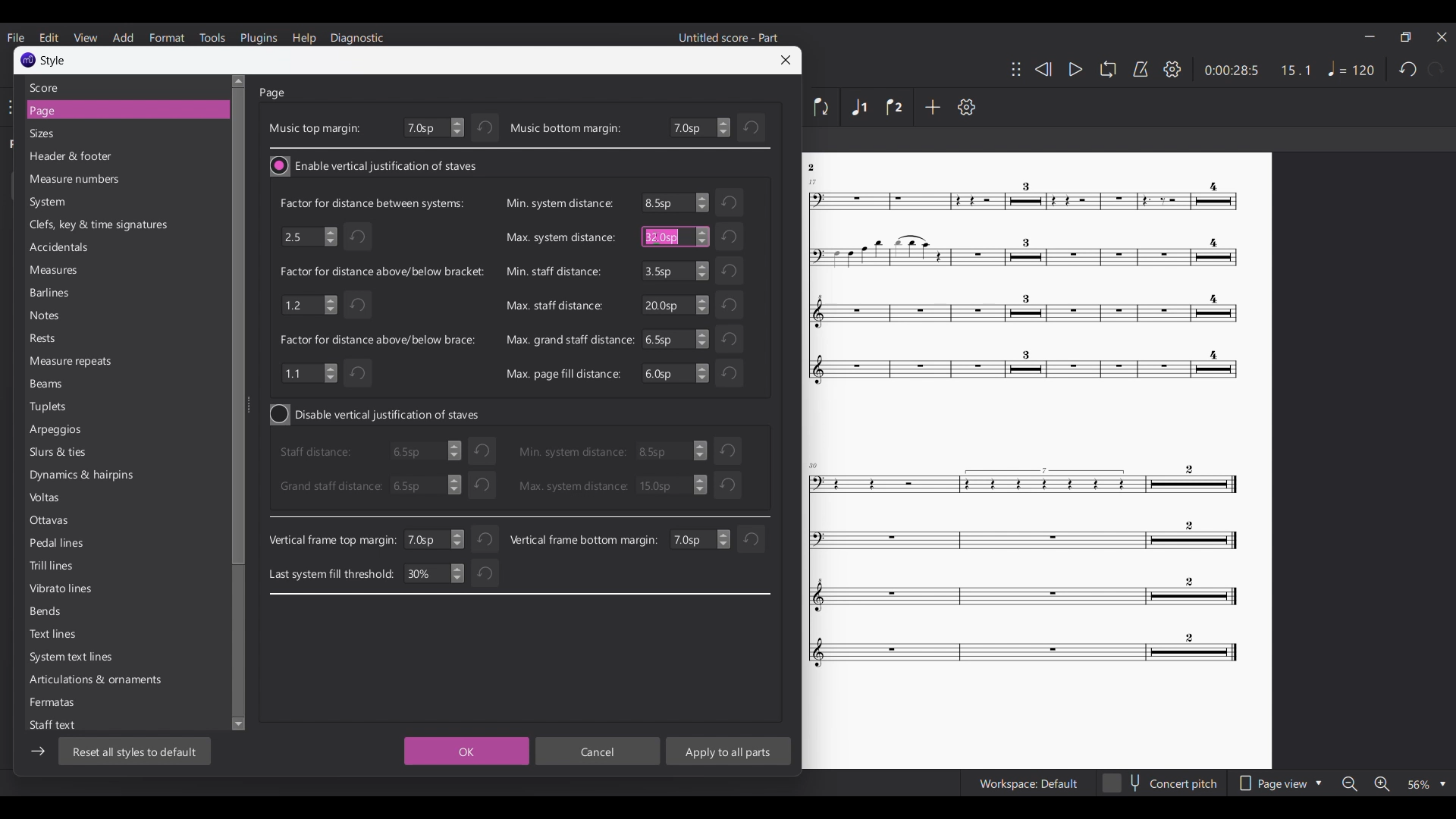  Describe the element at coordinates (1021, 570) in the screenshot. I see `` at that location.